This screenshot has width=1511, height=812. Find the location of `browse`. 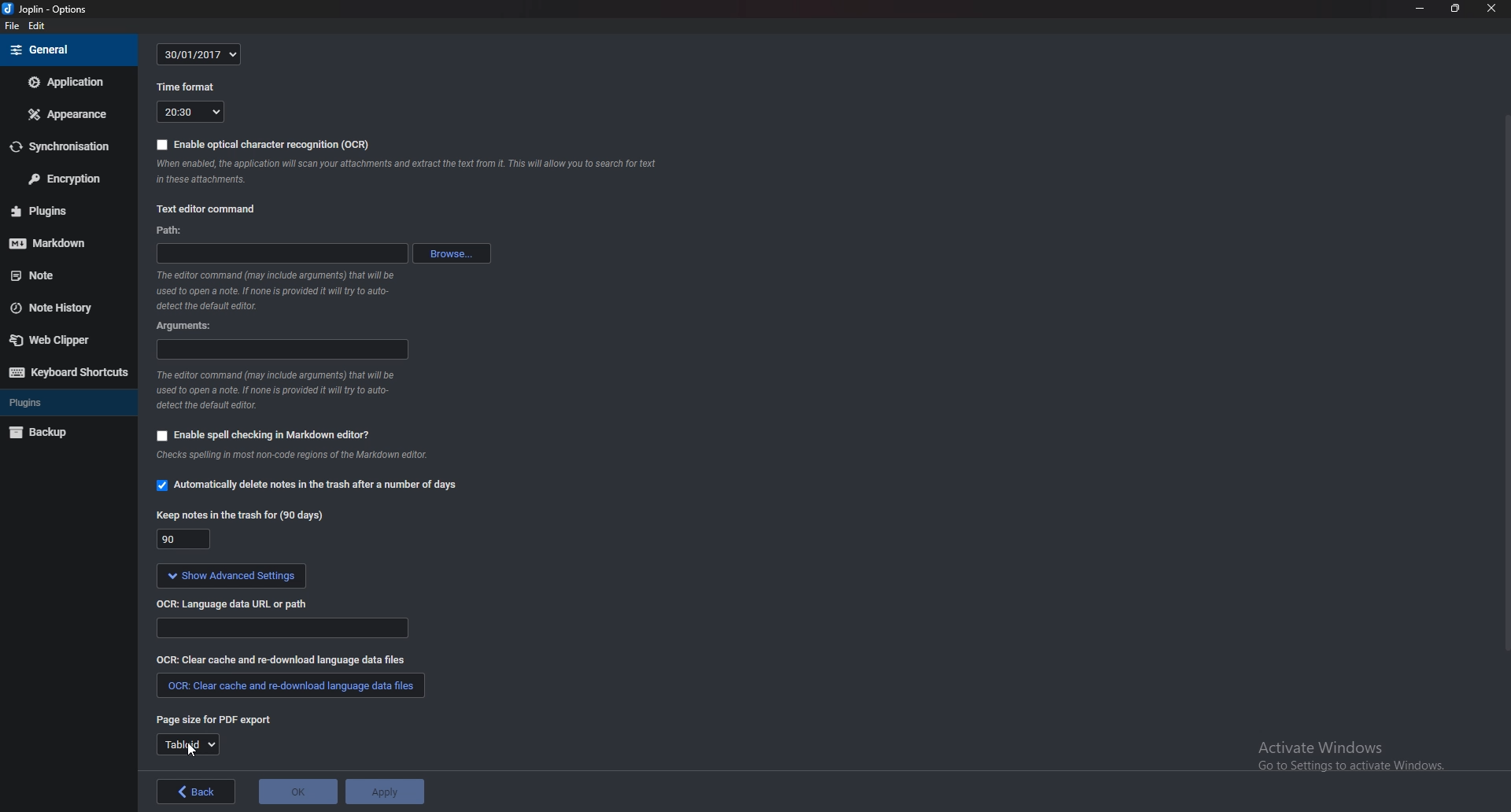

browse is located at coordinates (449, 253).